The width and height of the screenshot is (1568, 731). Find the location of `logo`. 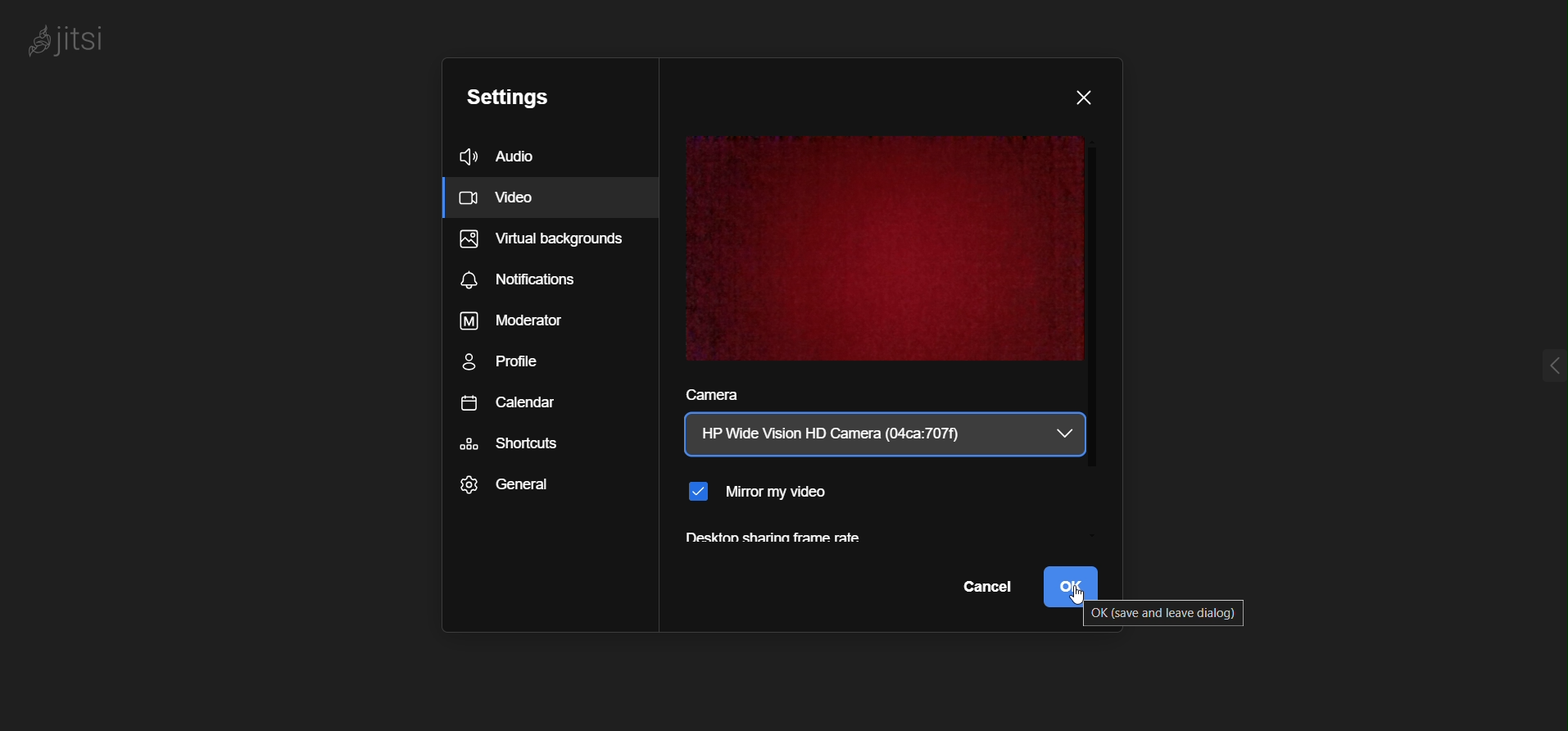

logo is located at coordinates (78, 41).